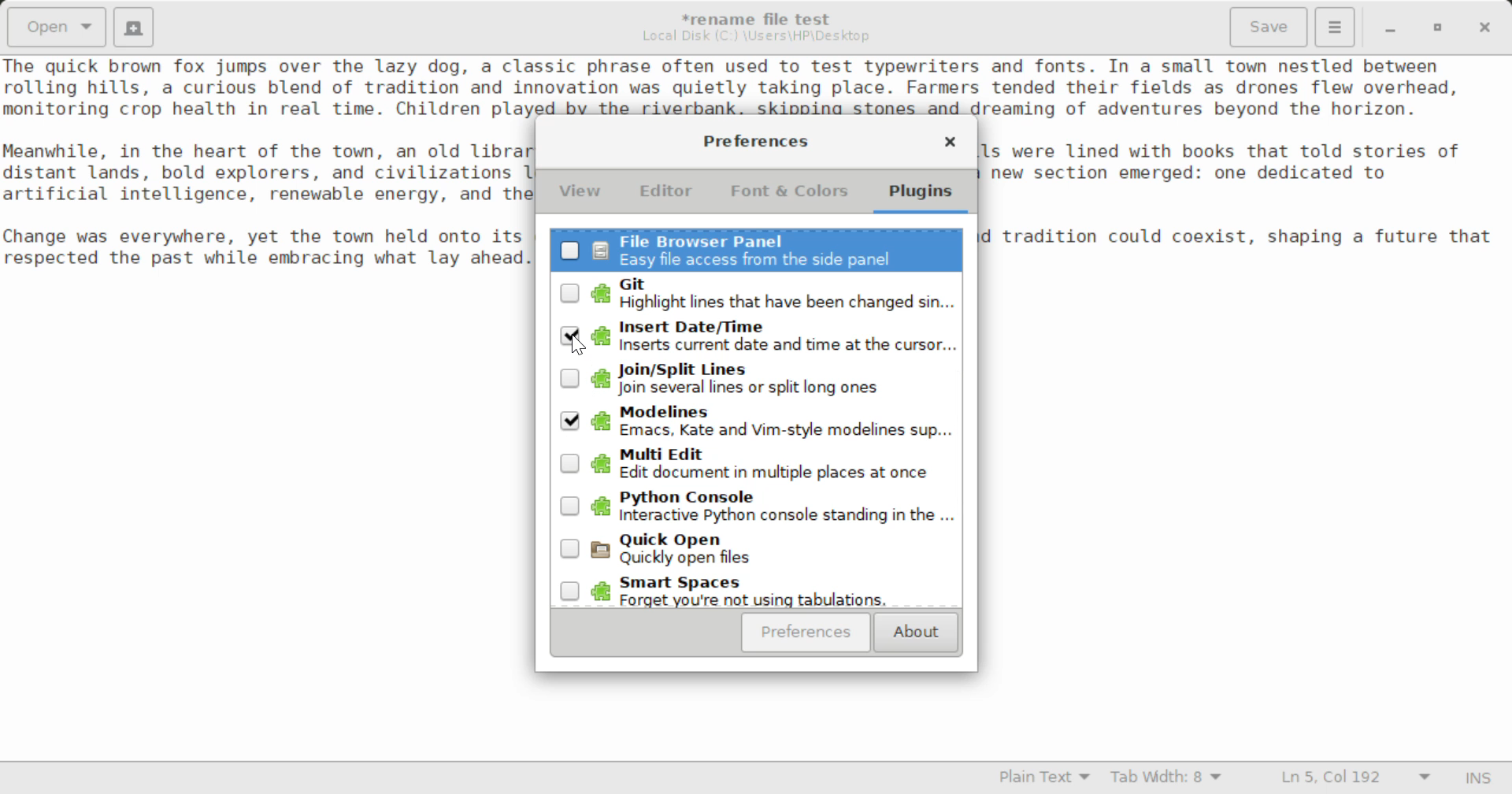  I want to click on Minimize, so click(1438, 28).